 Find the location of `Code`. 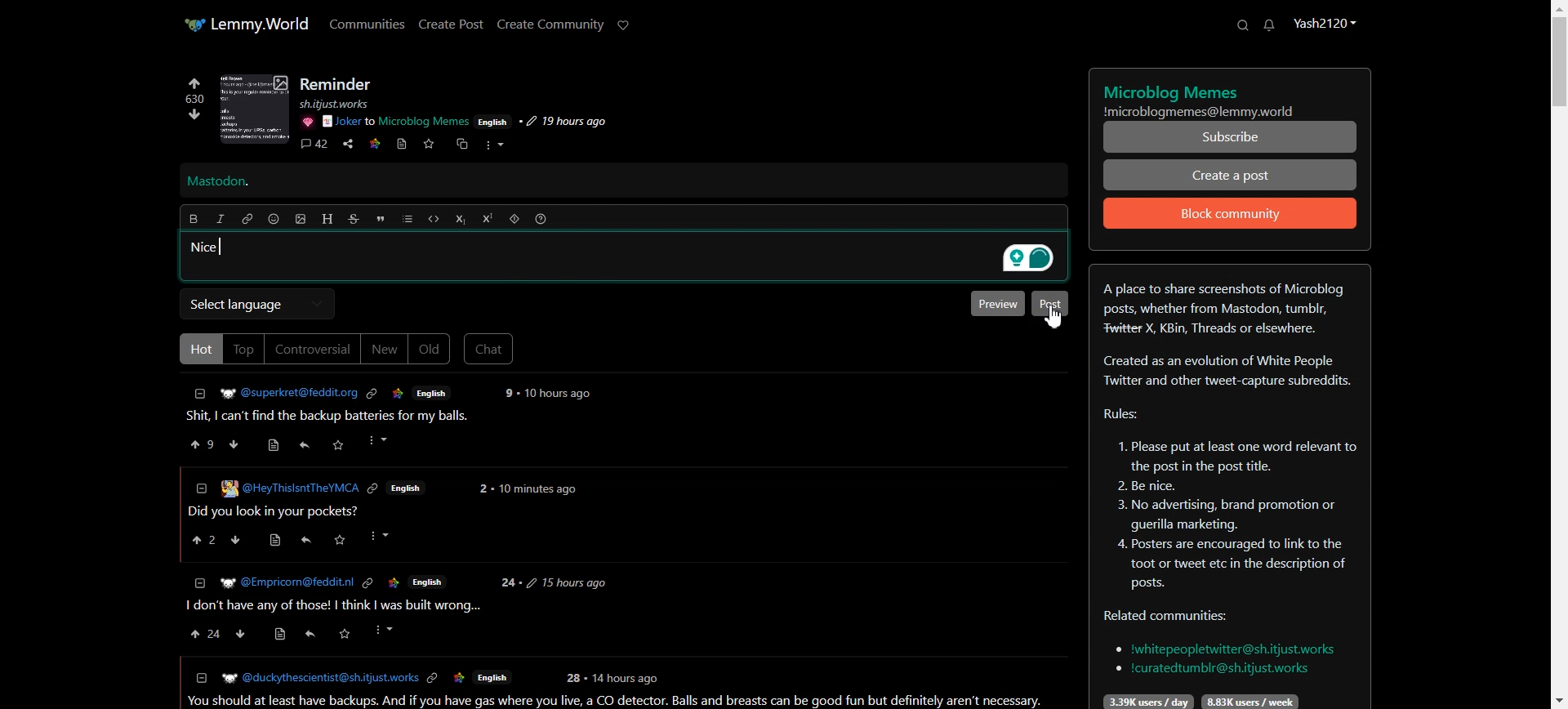

Code is located at coordinates (434, 219).